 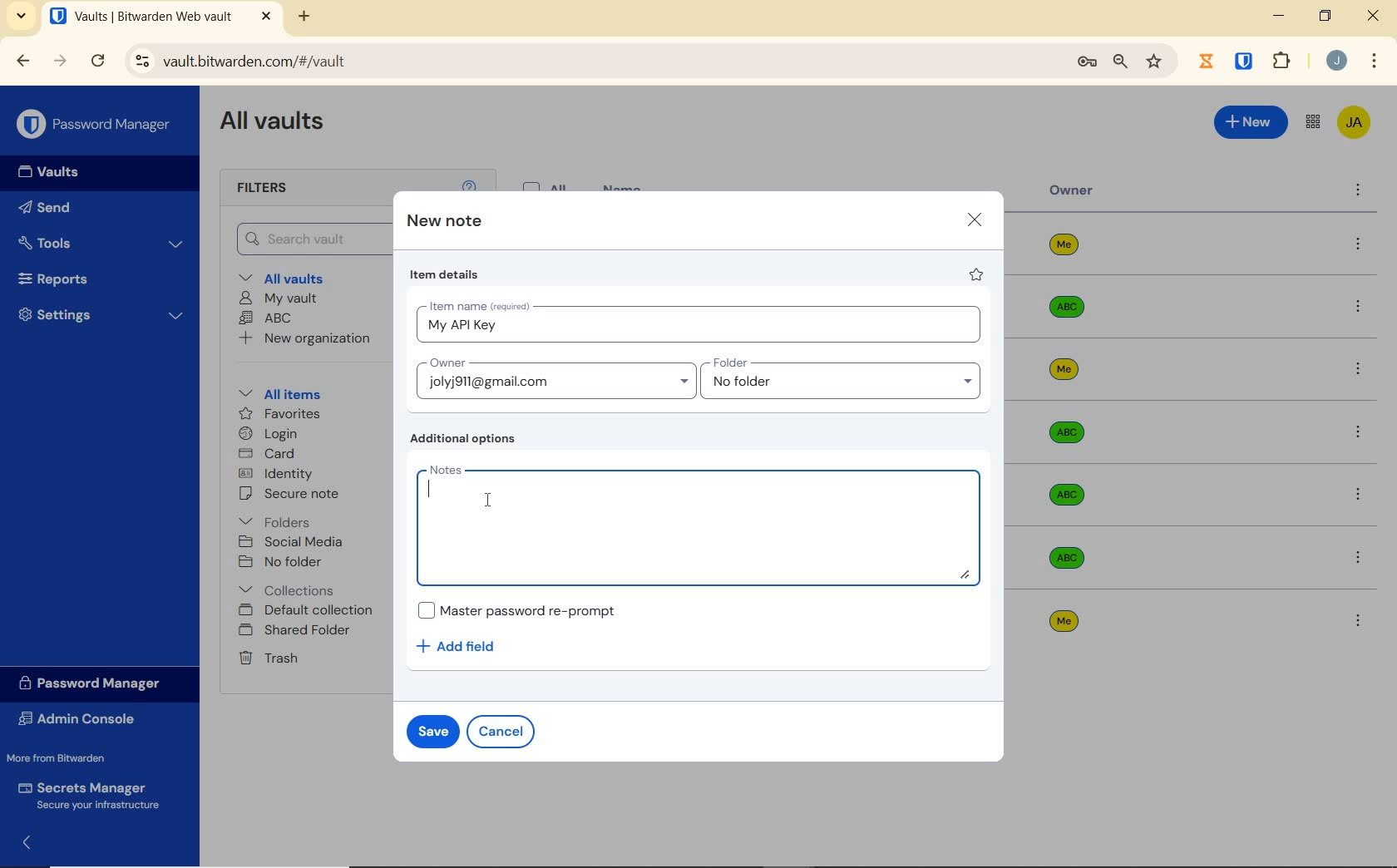 I want to click on Master password re-prompt, so click(x=516, y=610).